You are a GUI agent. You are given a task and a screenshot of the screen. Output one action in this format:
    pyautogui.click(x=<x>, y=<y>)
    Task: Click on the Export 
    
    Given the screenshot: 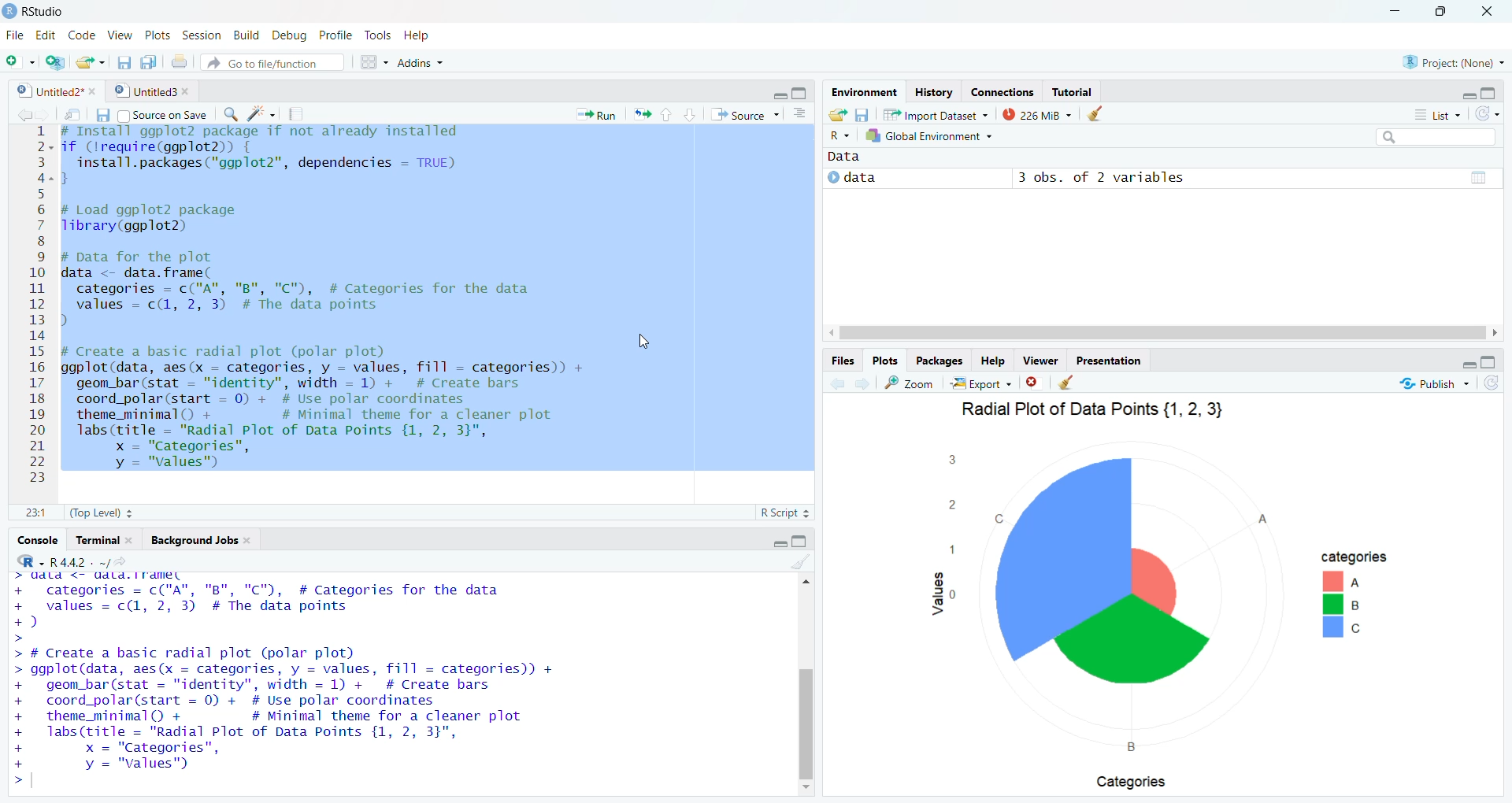 What is the action you would take?
    pyautogui.click(x=981, y=383)
    